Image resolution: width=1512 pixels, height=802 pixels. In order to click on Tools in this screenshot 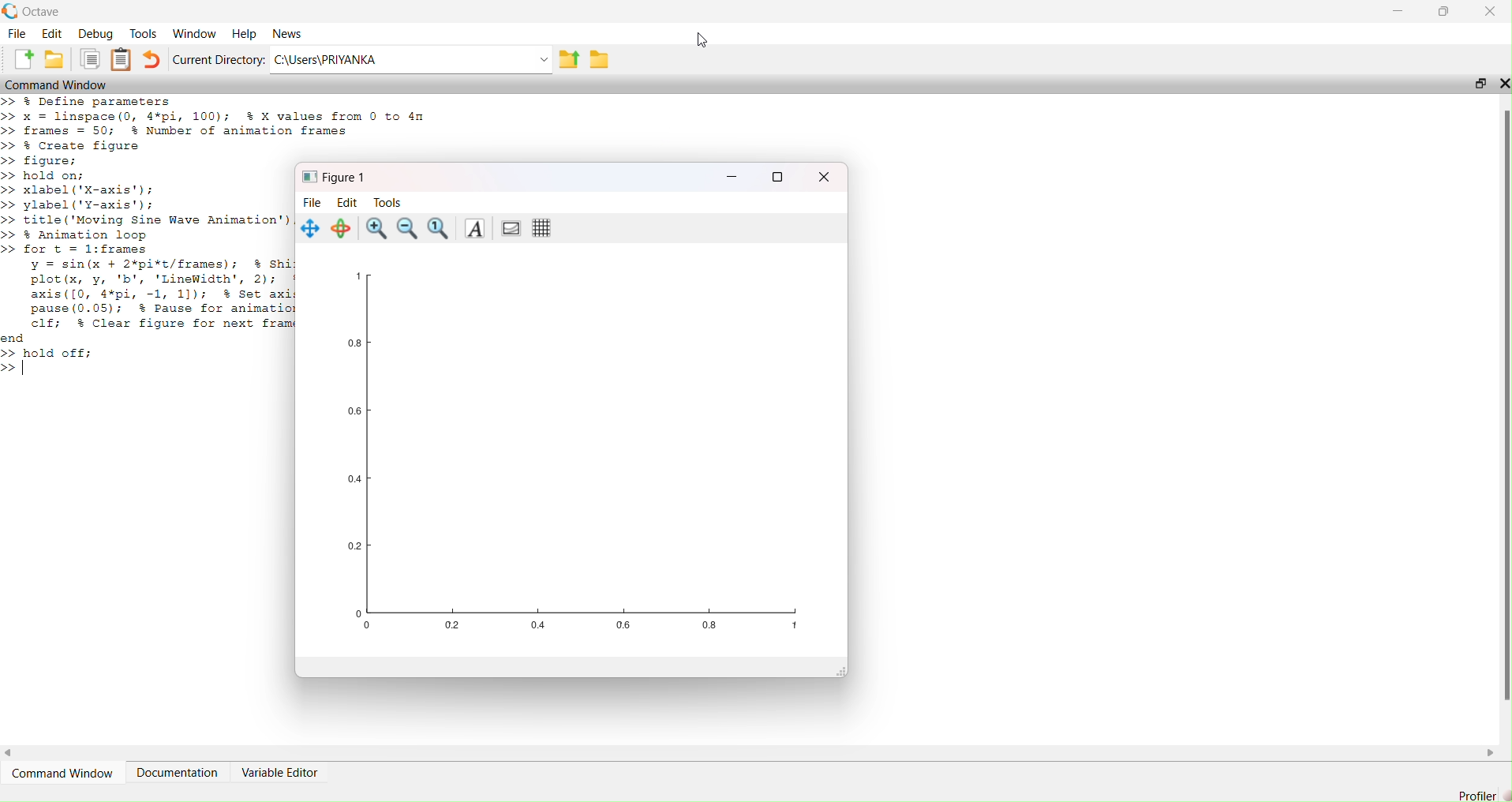, I will do `click(141, 35)`.